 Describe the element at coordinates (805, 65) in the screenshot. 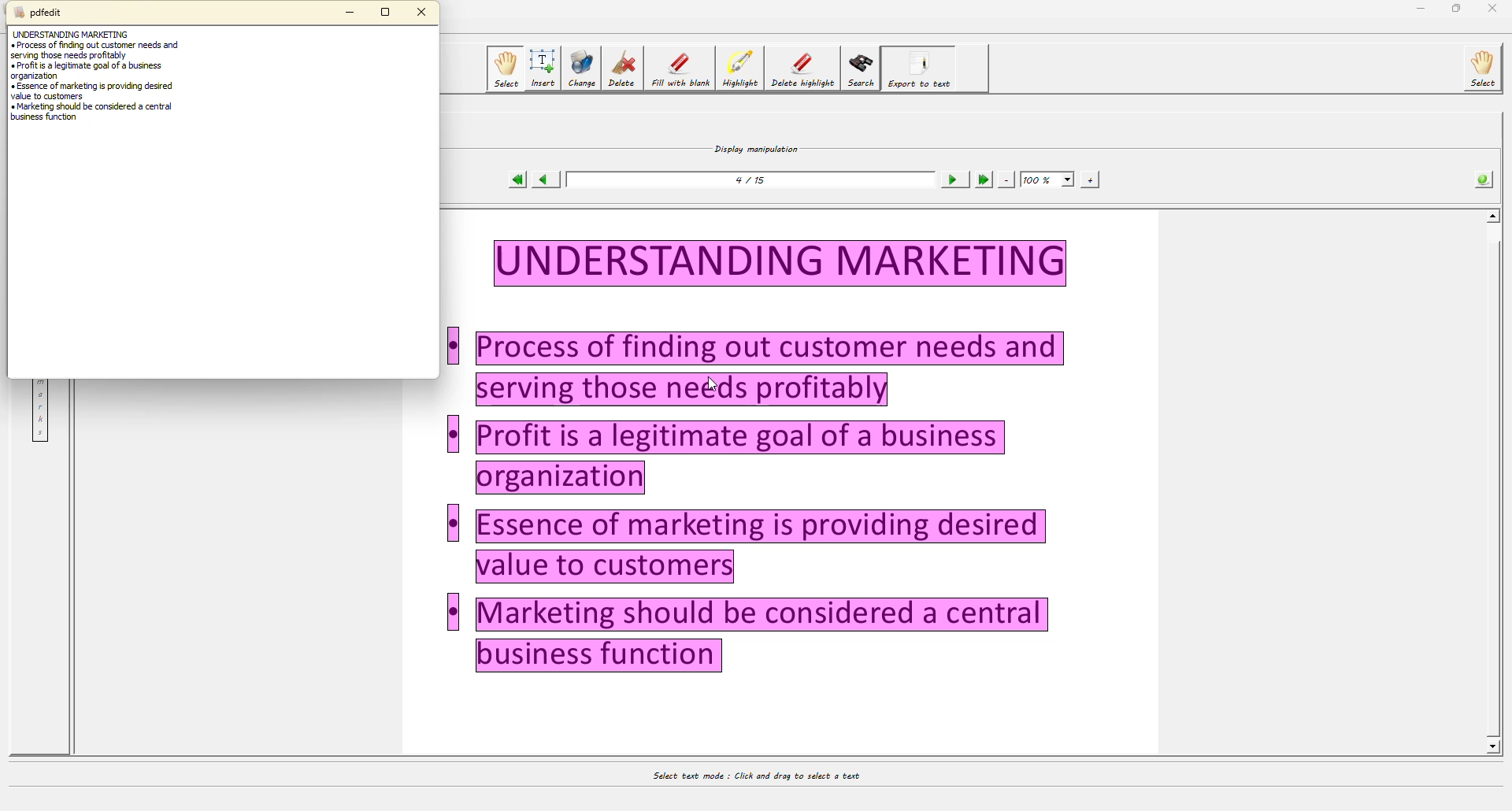

I see `delete highlight` at that location.